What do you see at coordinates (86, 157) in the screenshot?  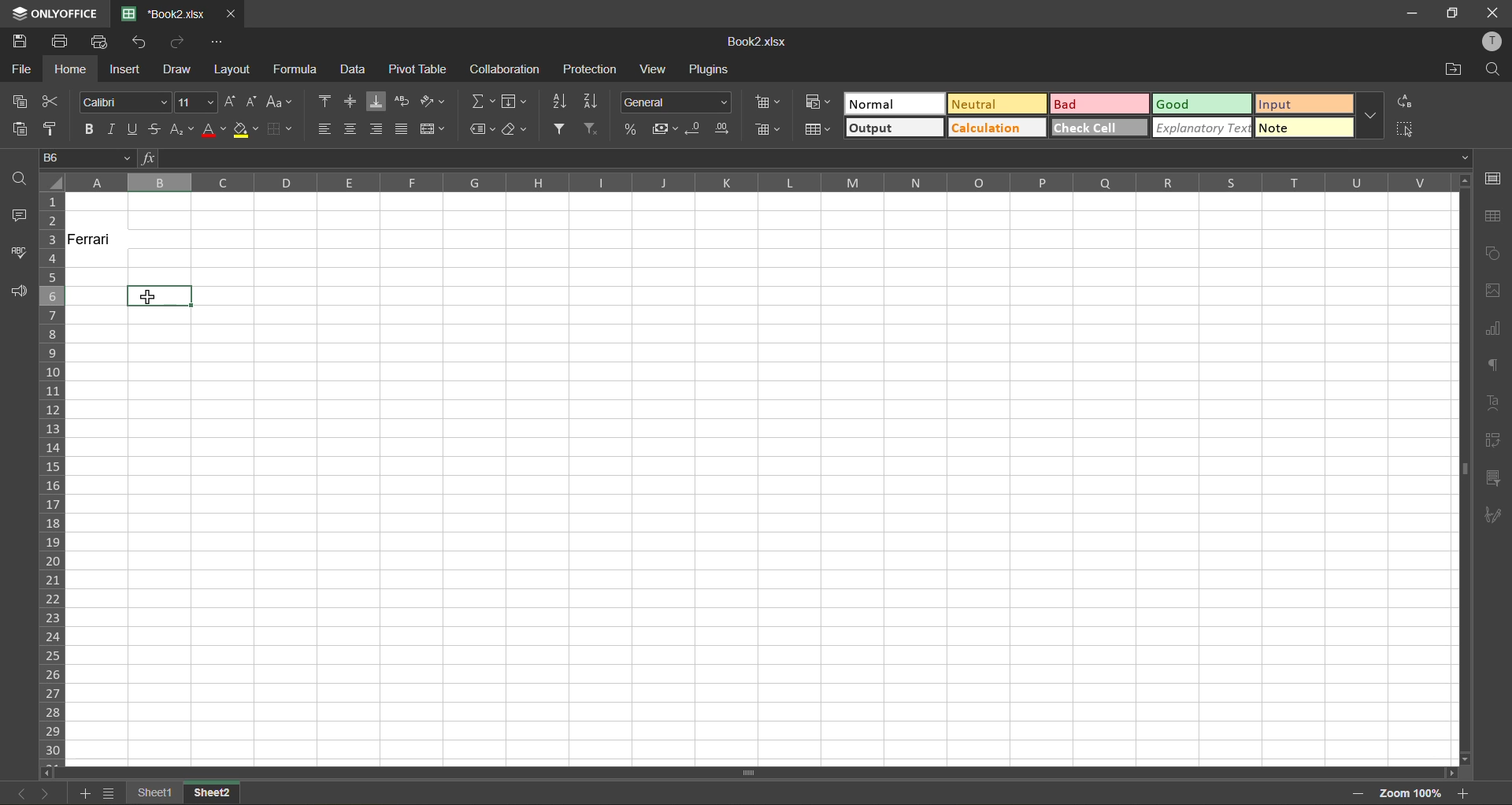 I see `cell address` at bounding box center [86, 157].